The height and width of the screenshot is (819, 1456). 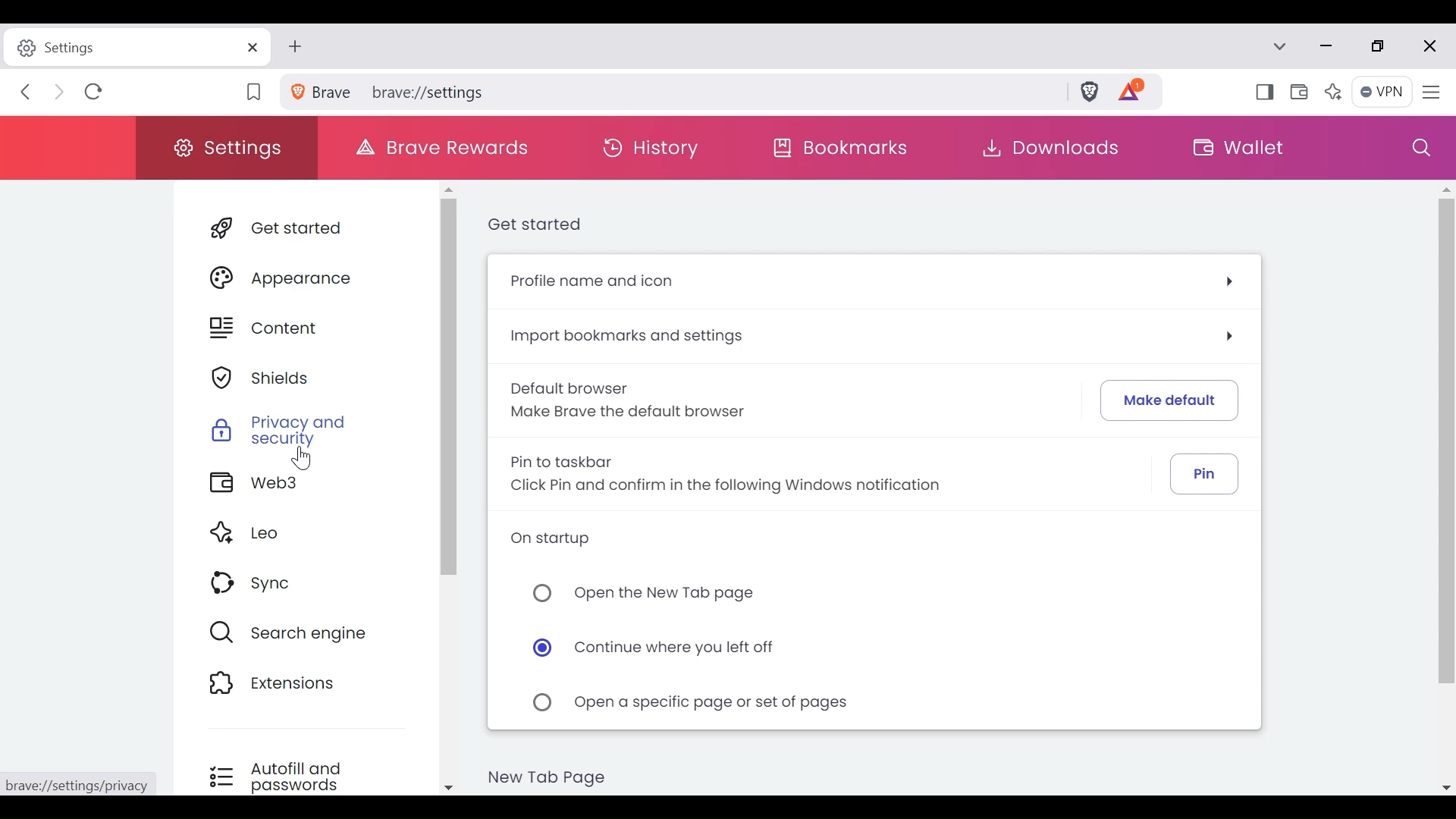 What do you see at coordinates (60, 95) in the screenshot?
I see `Click to Go Forward` at bounding box center [60, 95].